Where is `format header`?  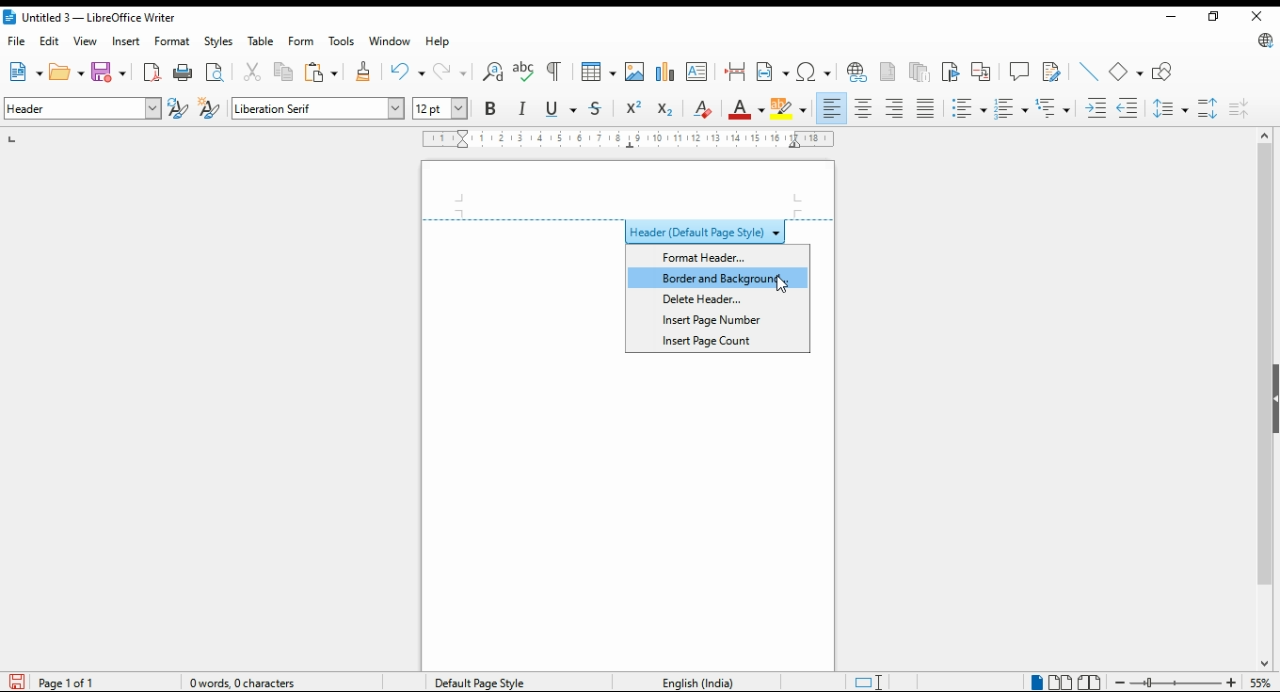 format header is located at coordinates (717, 257).